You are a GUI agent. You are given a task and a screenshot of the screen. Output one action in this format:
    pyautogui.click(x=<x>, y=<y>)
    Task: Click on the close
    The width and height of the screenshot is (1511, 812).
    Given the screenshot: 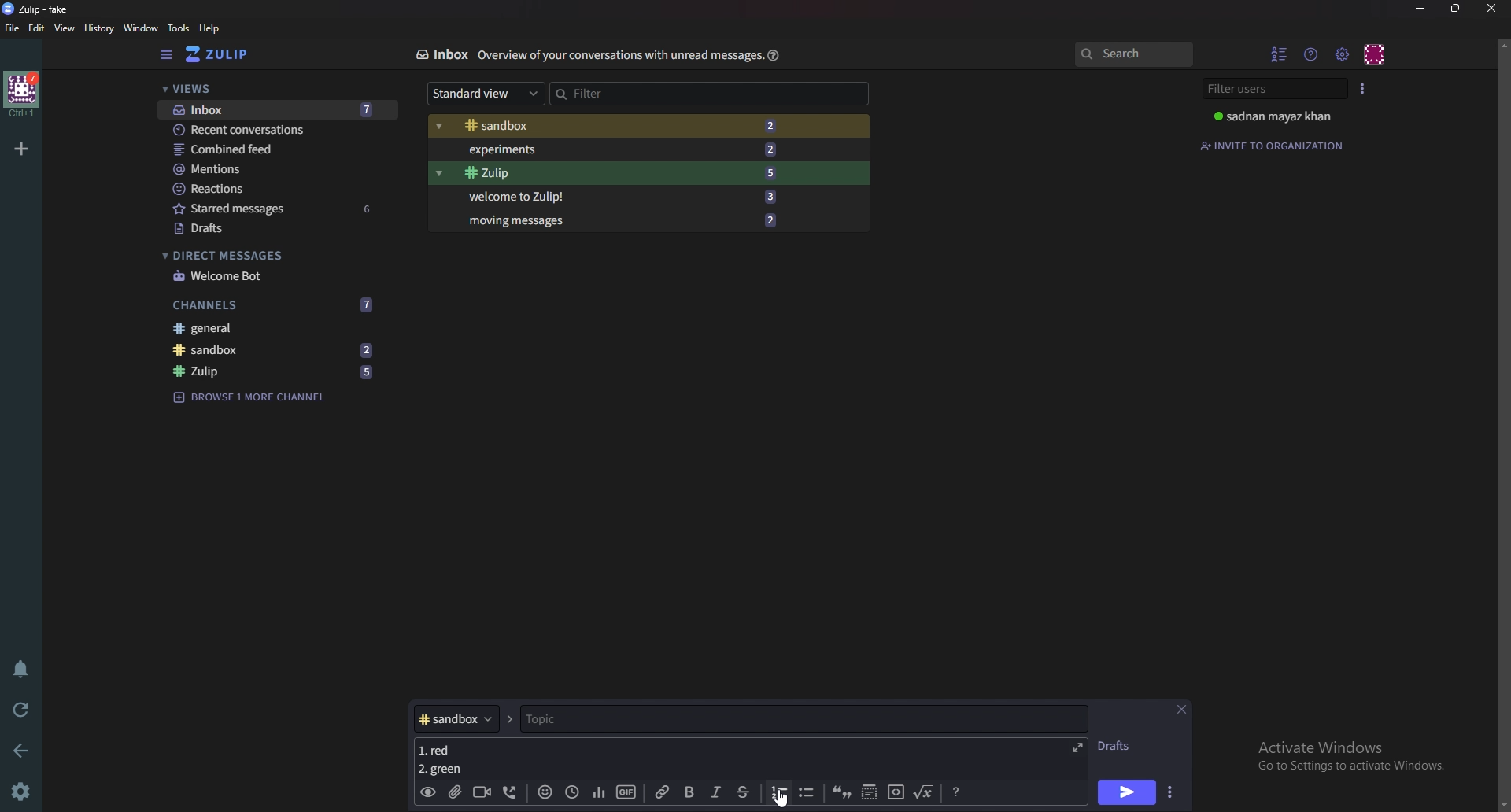 What is the action you would take?
    pyautogui.click(x=1491, y=8)
    